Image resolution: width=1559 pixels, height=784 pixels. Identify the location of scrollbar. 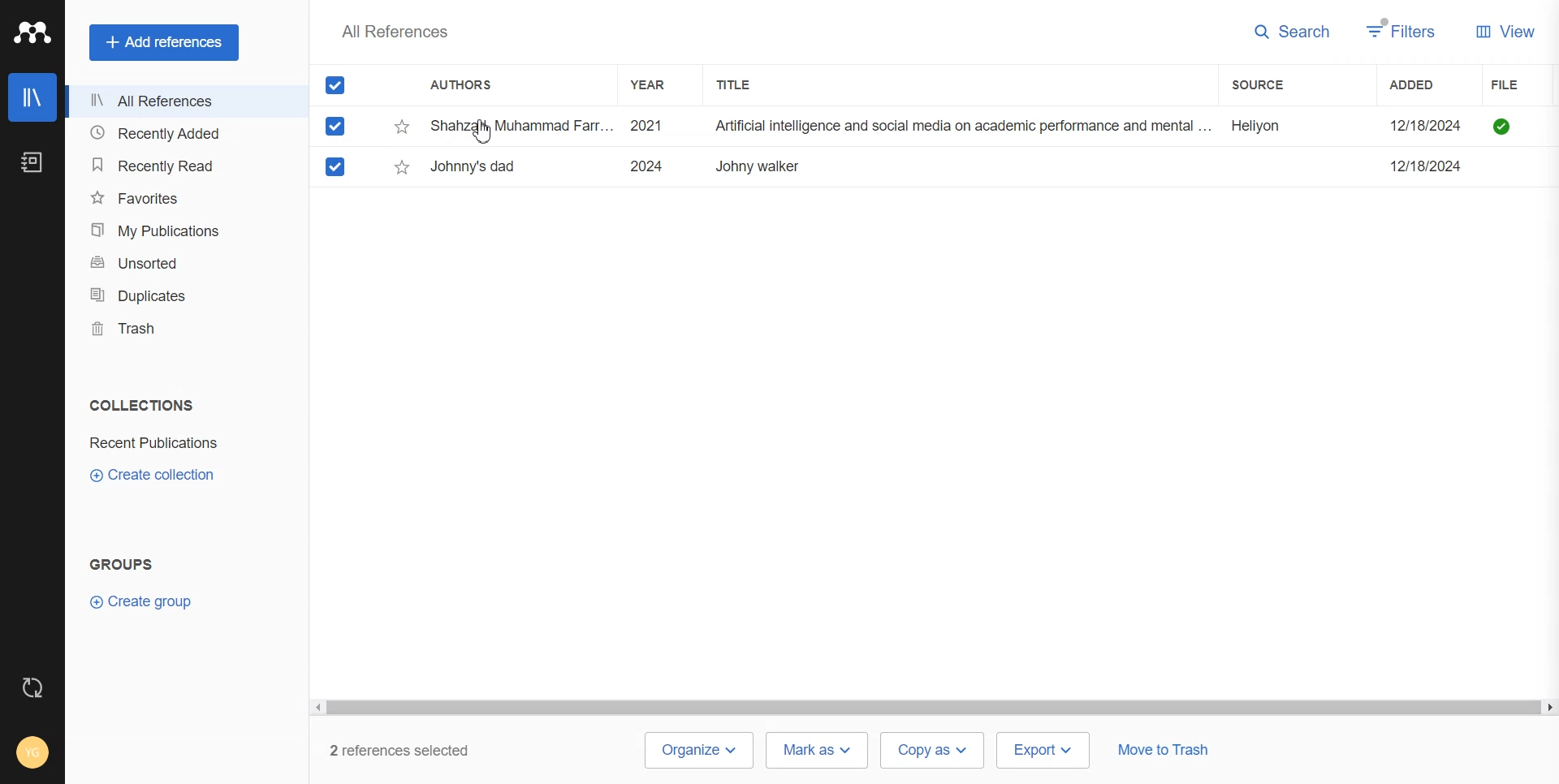
(933, 709).